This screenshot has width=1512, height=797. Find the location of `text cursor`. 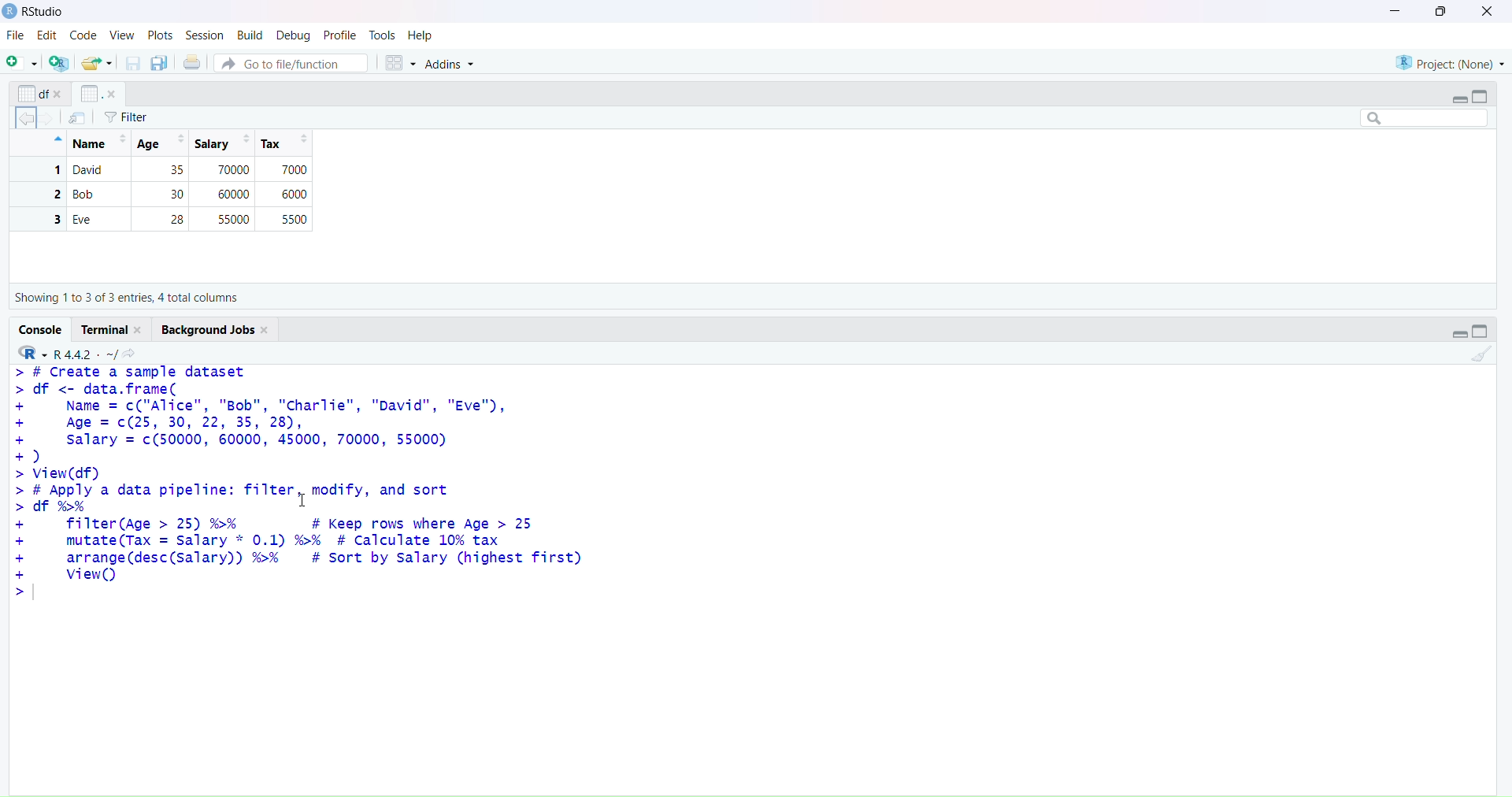

text cursor is located at coordinates (35, 595).